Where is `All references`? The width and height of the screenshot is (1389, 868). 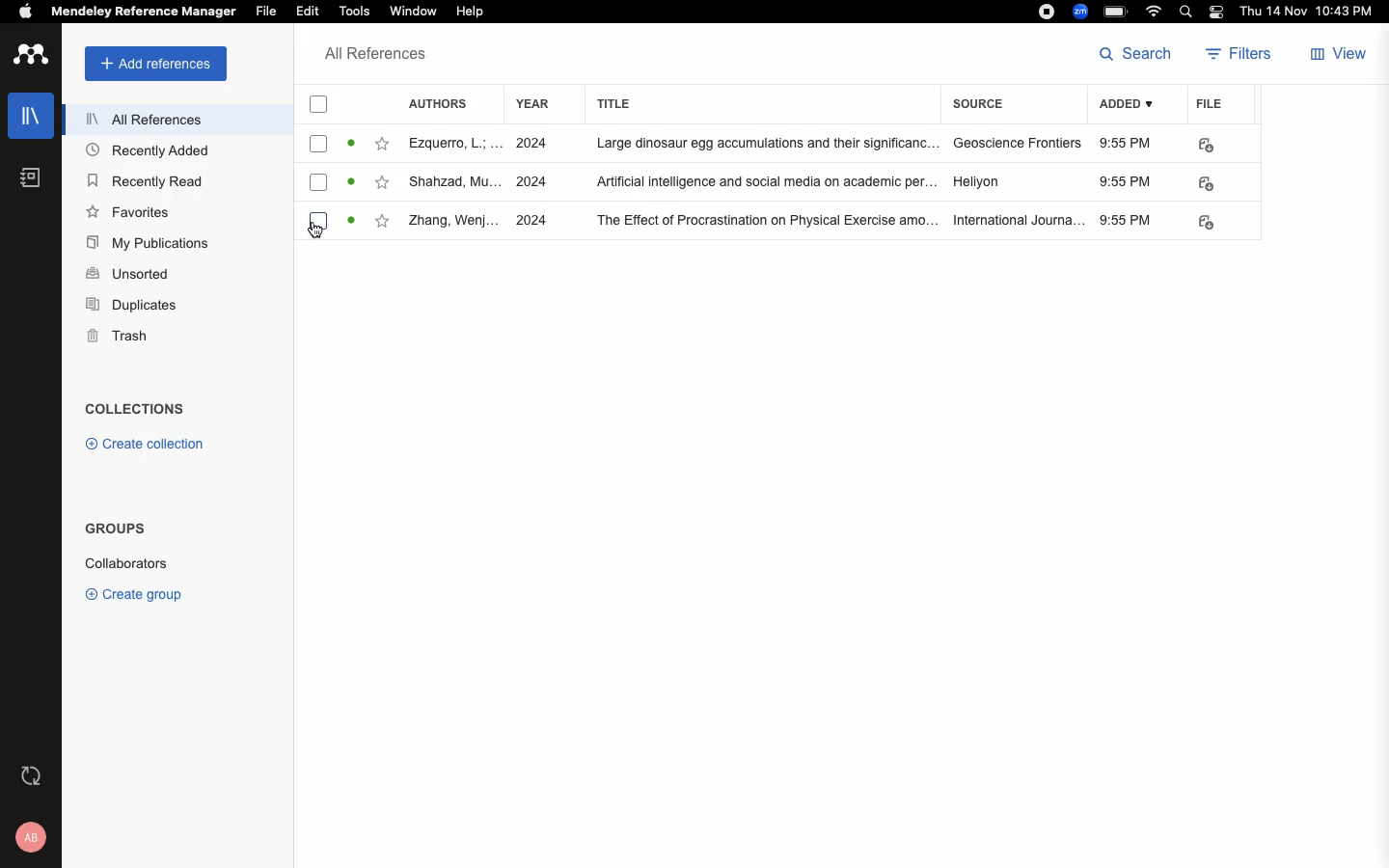 All references is located at coordinates (145, 122).